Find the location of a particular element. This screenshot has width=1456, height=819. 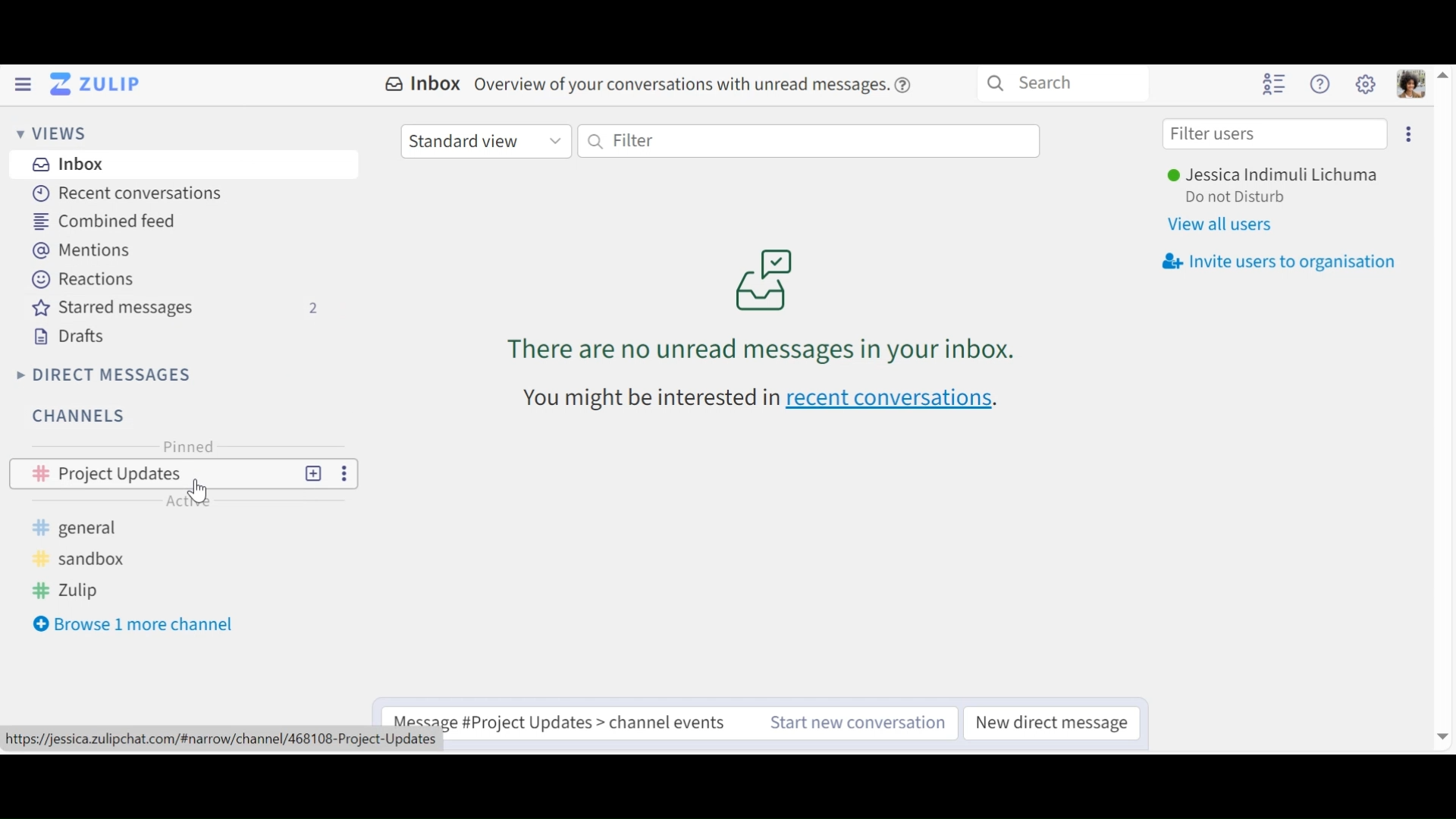

Direct Messages is located at coordinates (105, 375).